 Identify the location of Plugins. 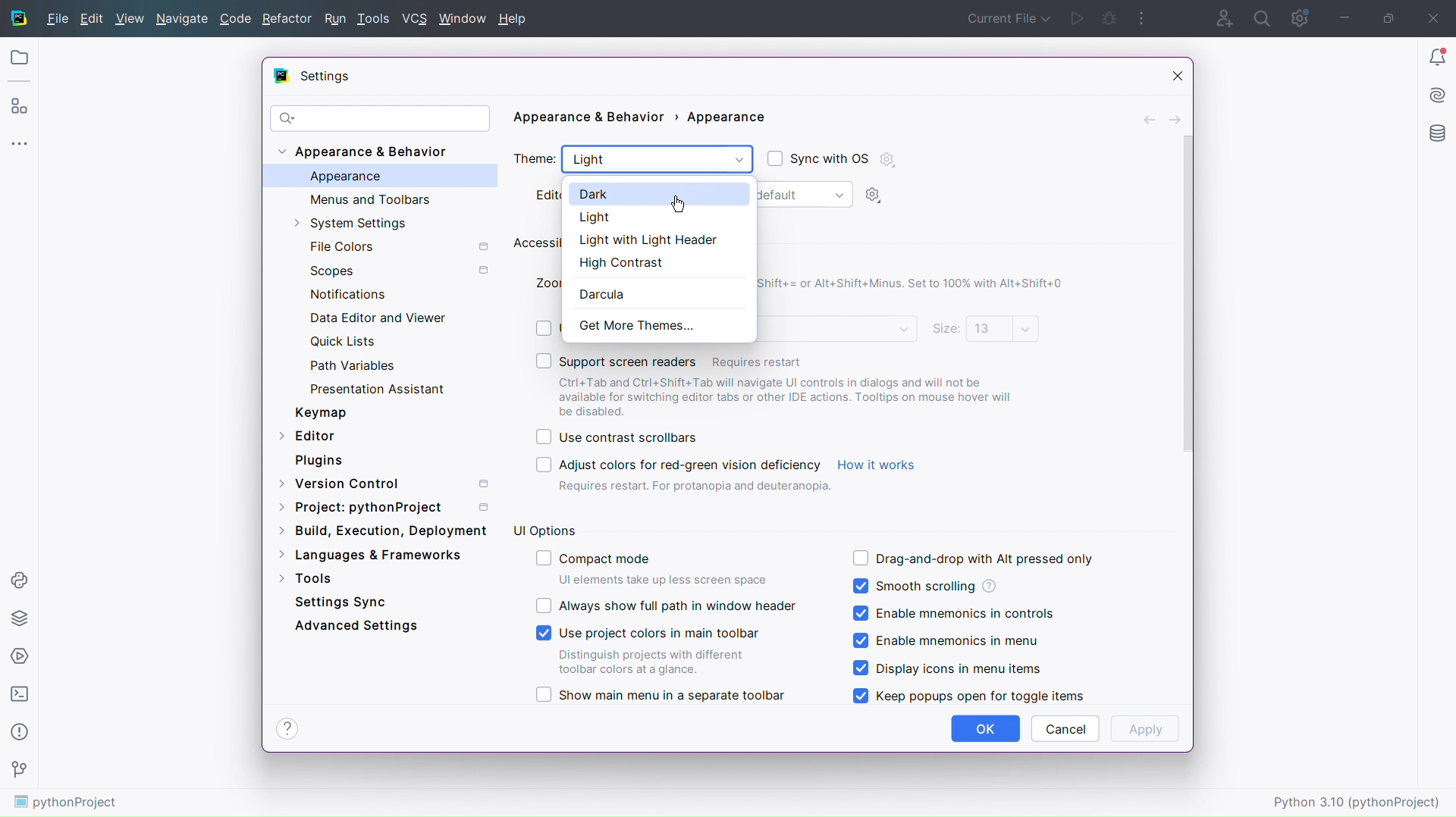
(19, 105).